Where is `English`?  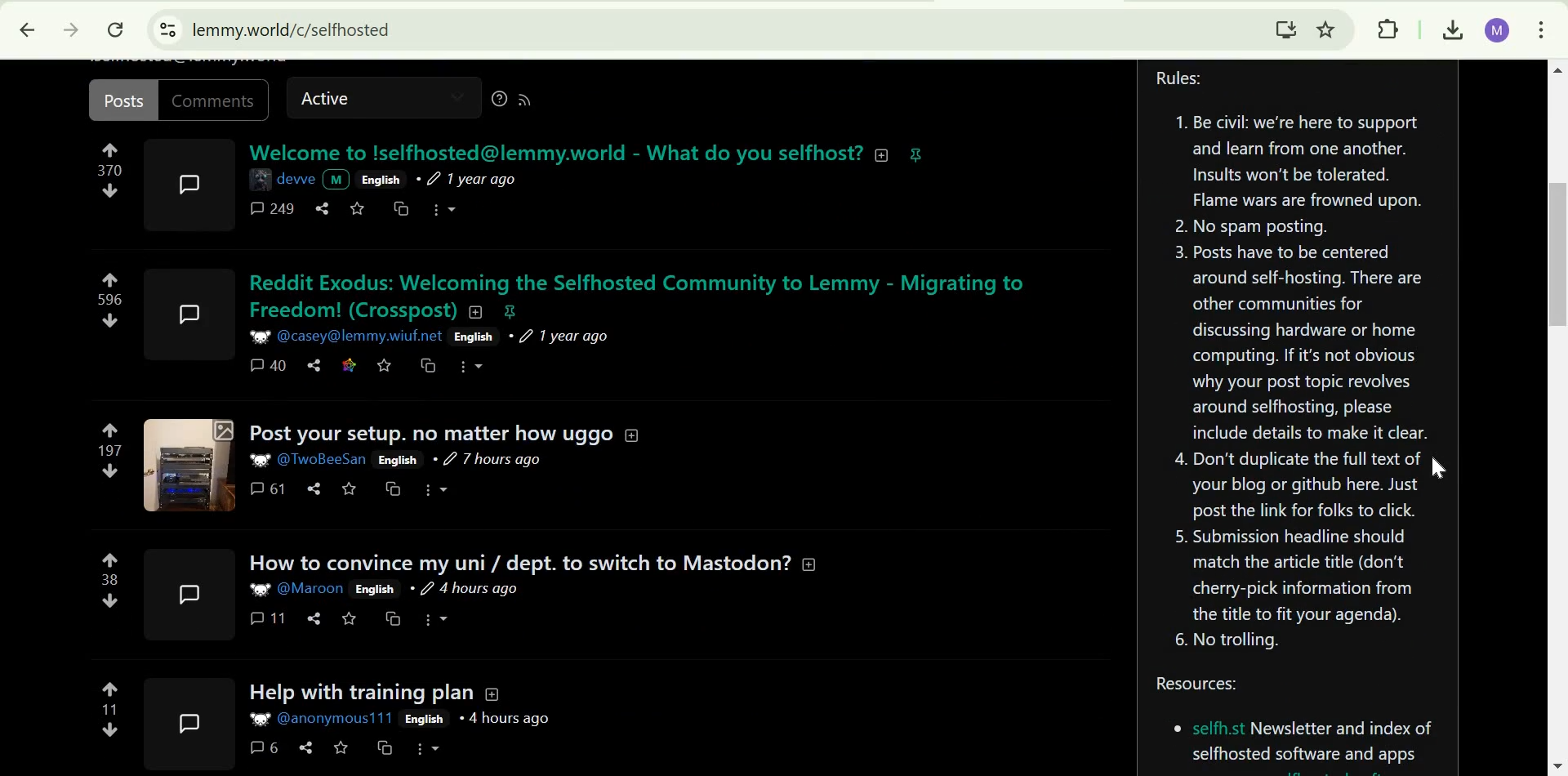 English is located at coordinates (471, 337).